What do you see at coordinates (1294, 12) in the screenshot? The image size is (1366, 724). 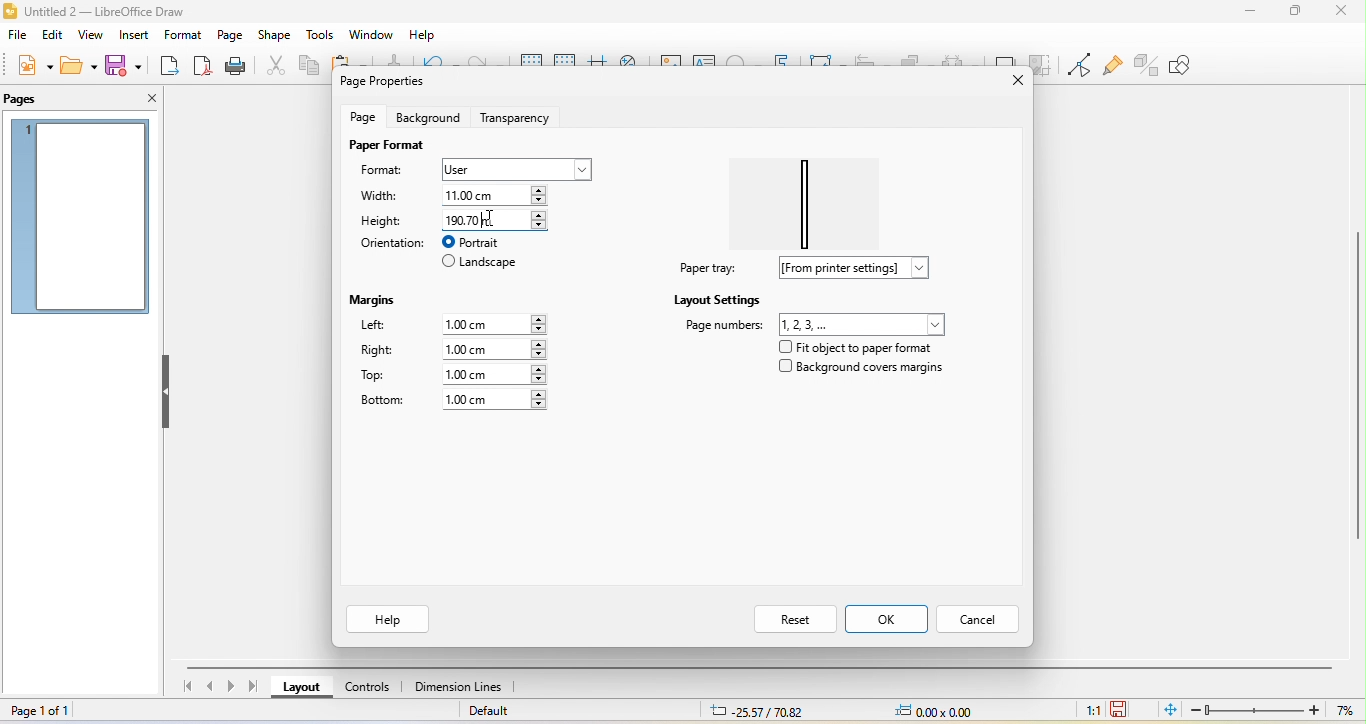 I see `maximize` at bounding box center [1294, 12].